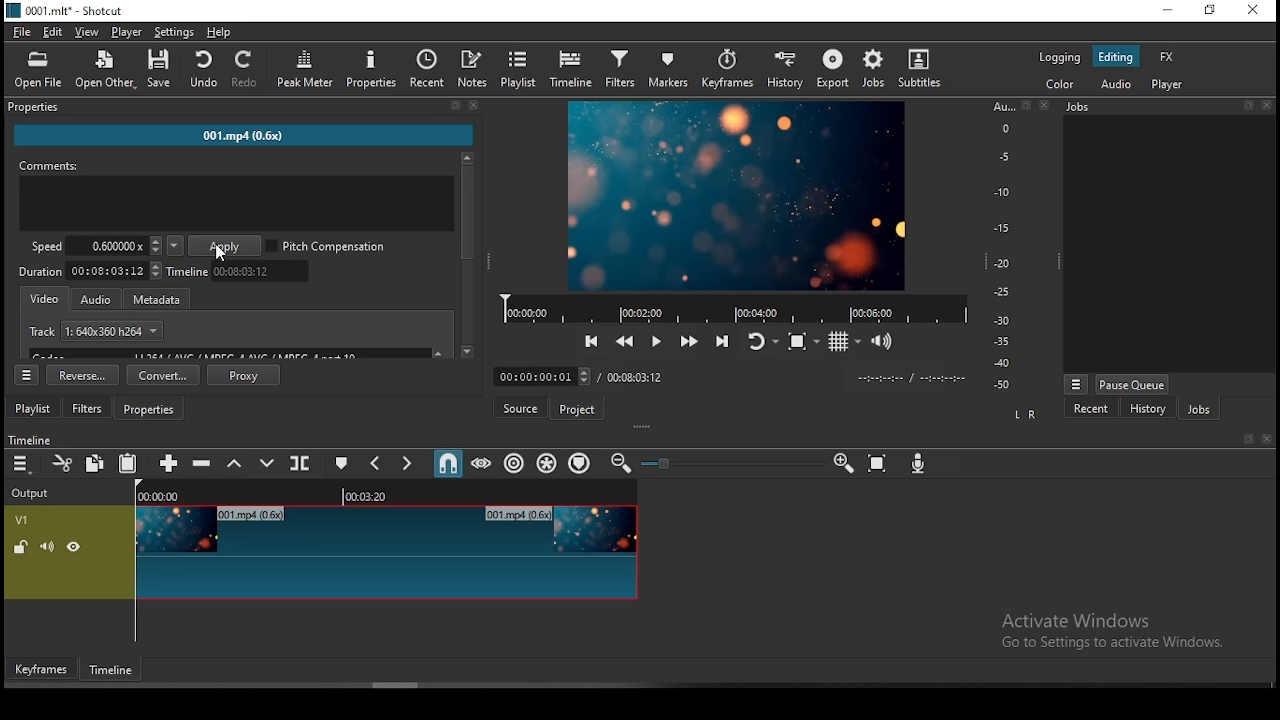 This screenshot has height=720, width=1280. I want to click on skip to previous point, so click(592, 340).